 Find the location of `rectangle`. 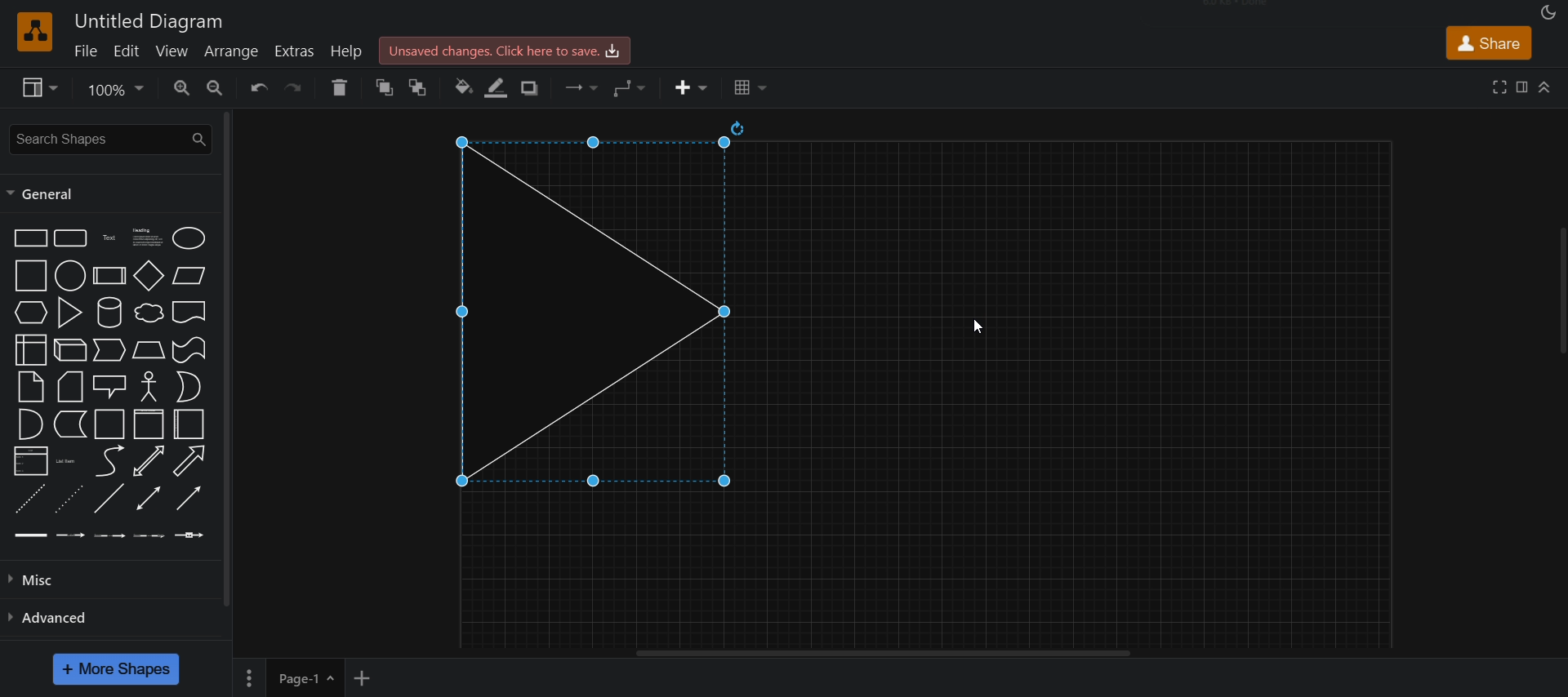

rectangle is located at coordinates (30, 238).